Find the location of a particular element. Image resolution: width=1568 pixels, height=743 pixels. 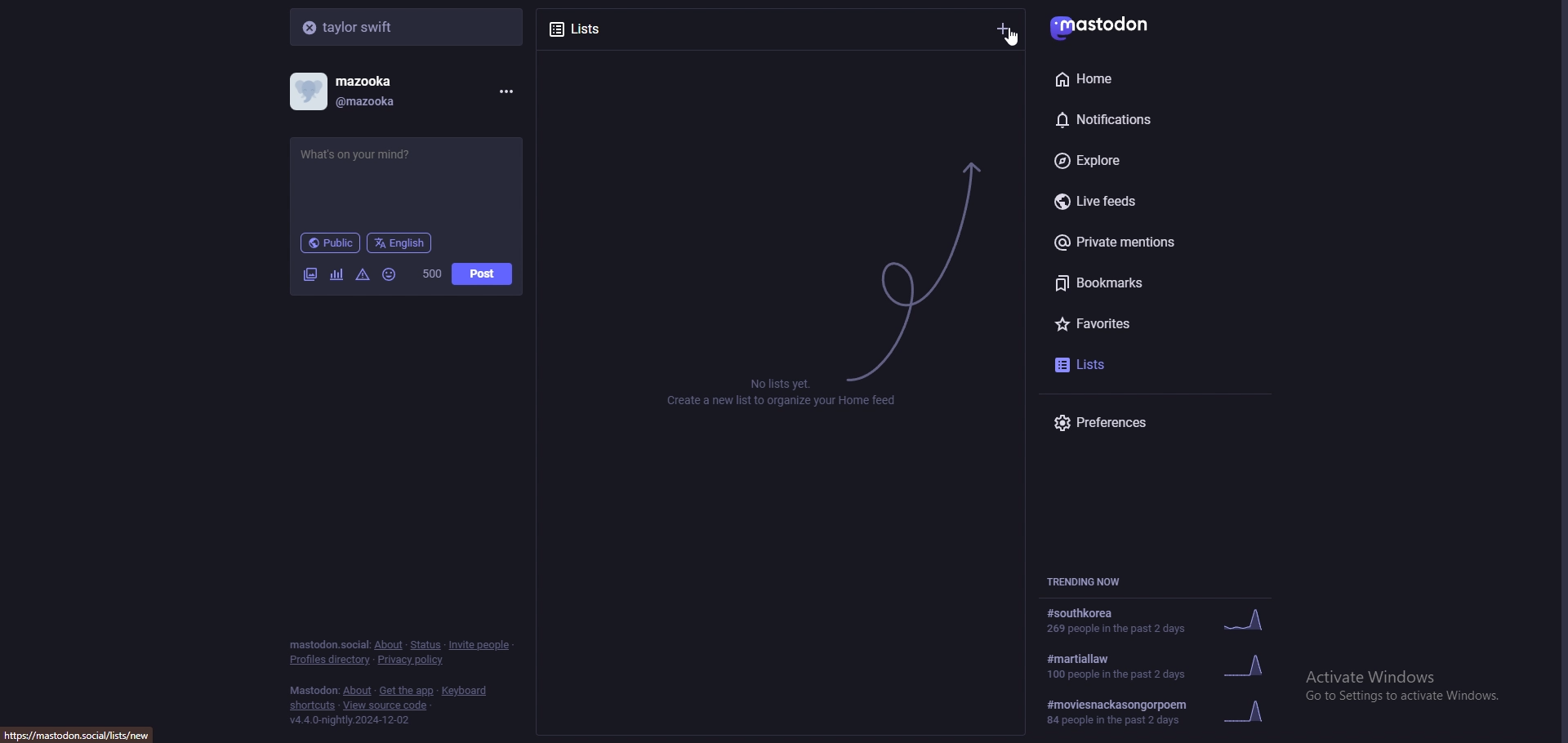

post is located at coordinates (482, 274).